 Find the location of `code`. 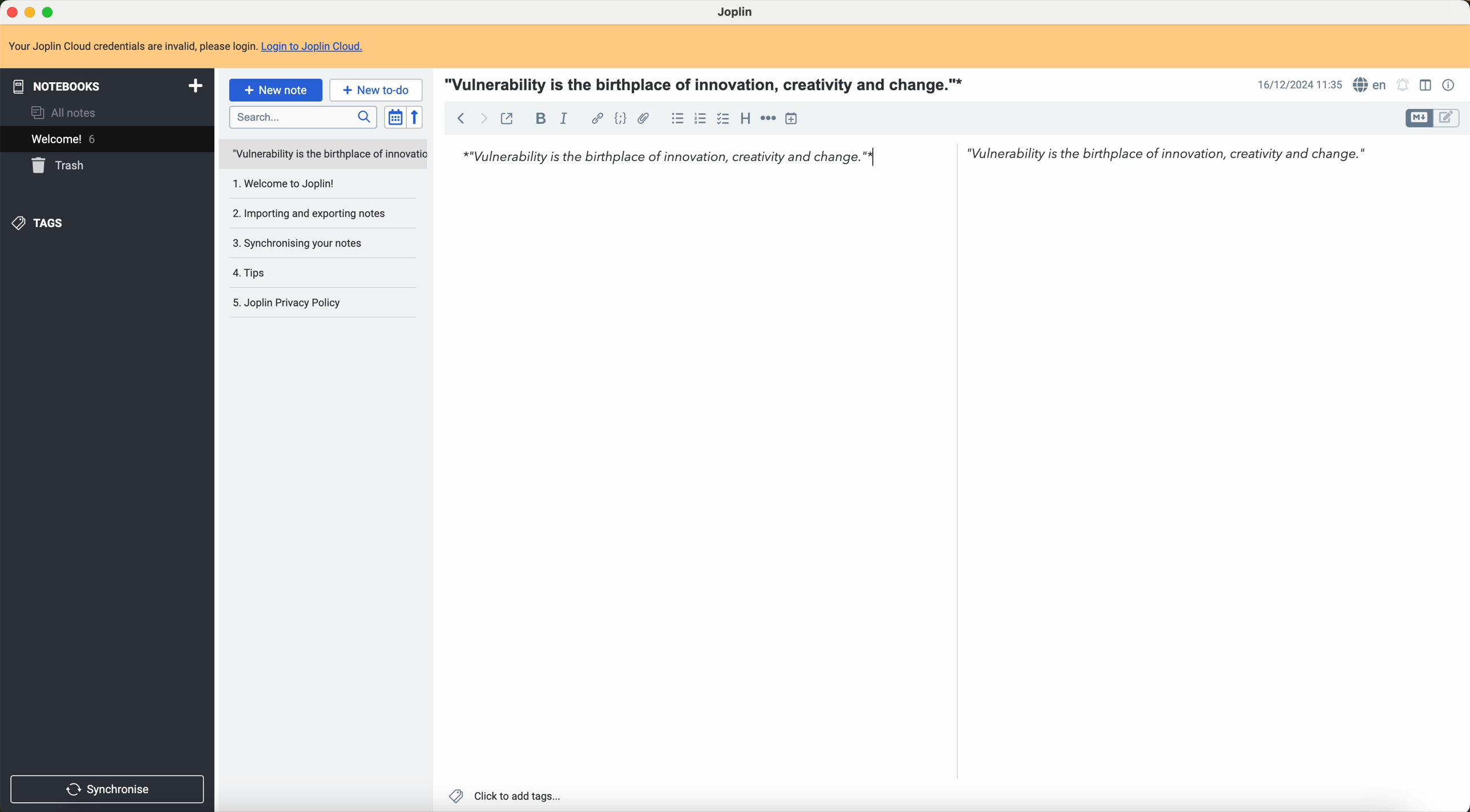

code is located at coordinates (618, 118).